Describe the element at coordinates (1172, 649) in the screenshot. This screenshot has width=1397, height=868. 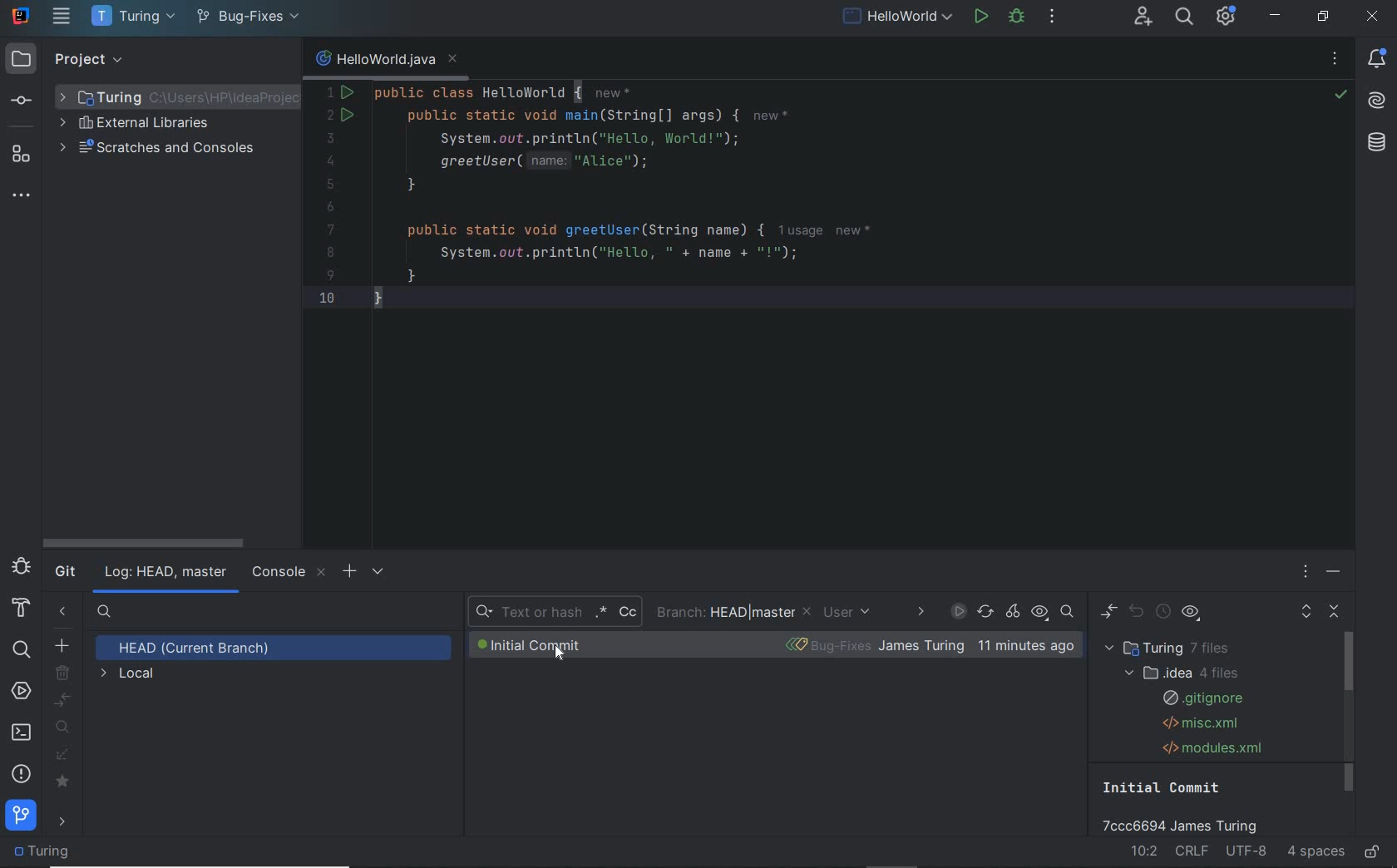
I see `turing 7 files` at that location.